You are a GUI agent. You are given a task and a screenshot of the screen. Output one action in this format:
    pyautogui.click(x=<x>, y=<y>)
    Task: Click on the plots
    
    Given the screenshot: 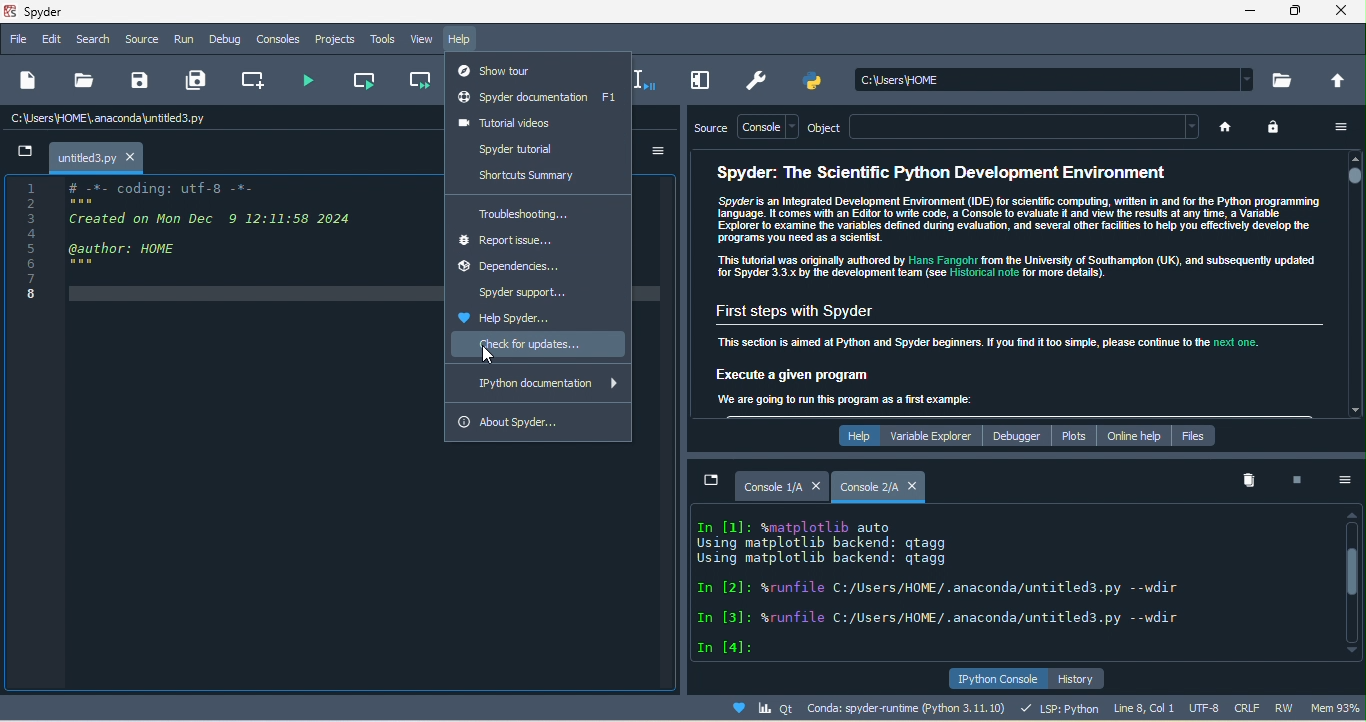 What is the action you would take?
    pyautogui.click(x=1072, y=435)
    